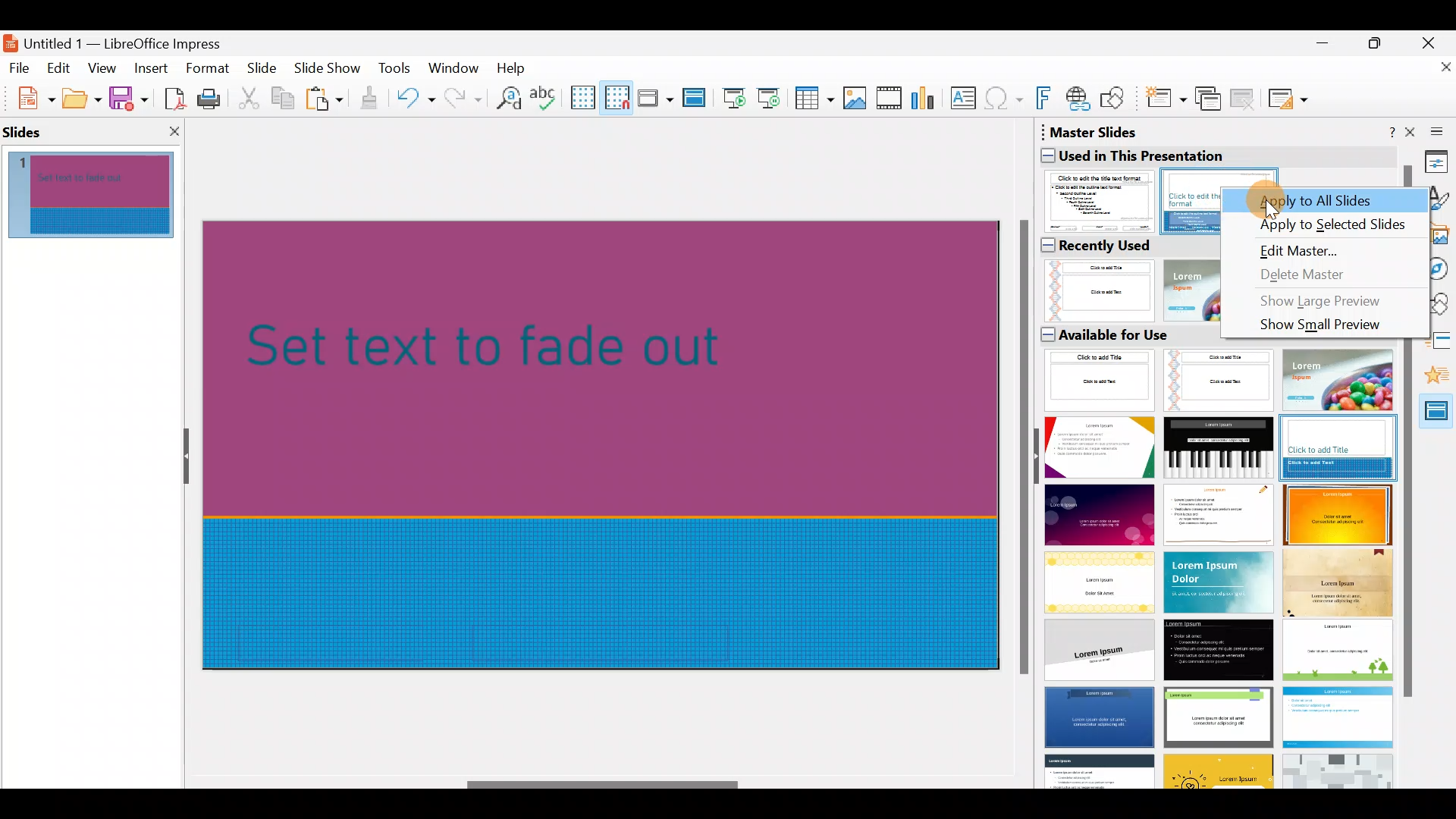 This screenshot has height=819, width=1456. Describe the element at coordinates (281, 99) in the screenshot. I see `Copy` at that location.